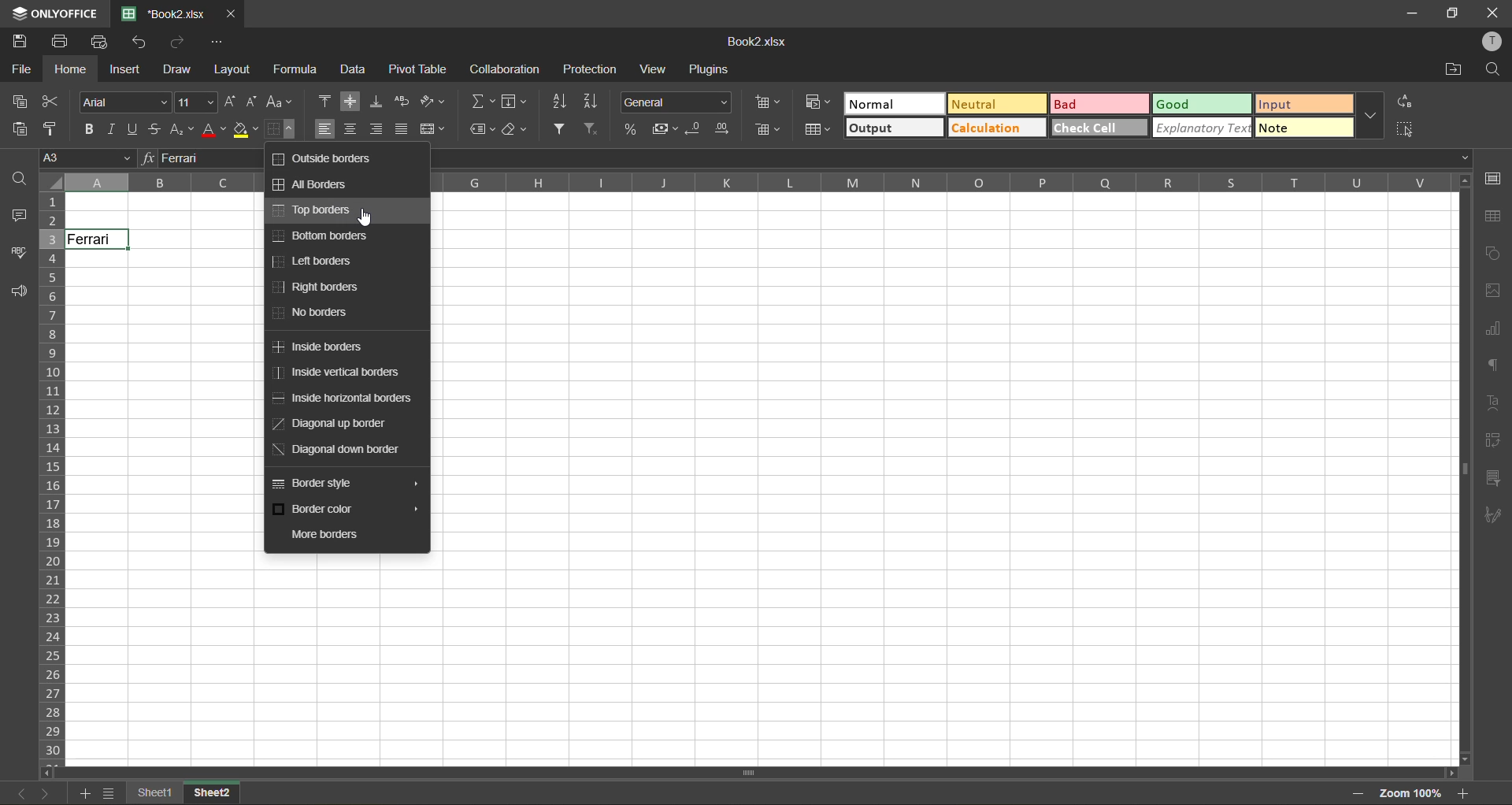  What do you see at coordinates (16, 41) in the screenshot?
I see `save` at bounding box center [16, 41].